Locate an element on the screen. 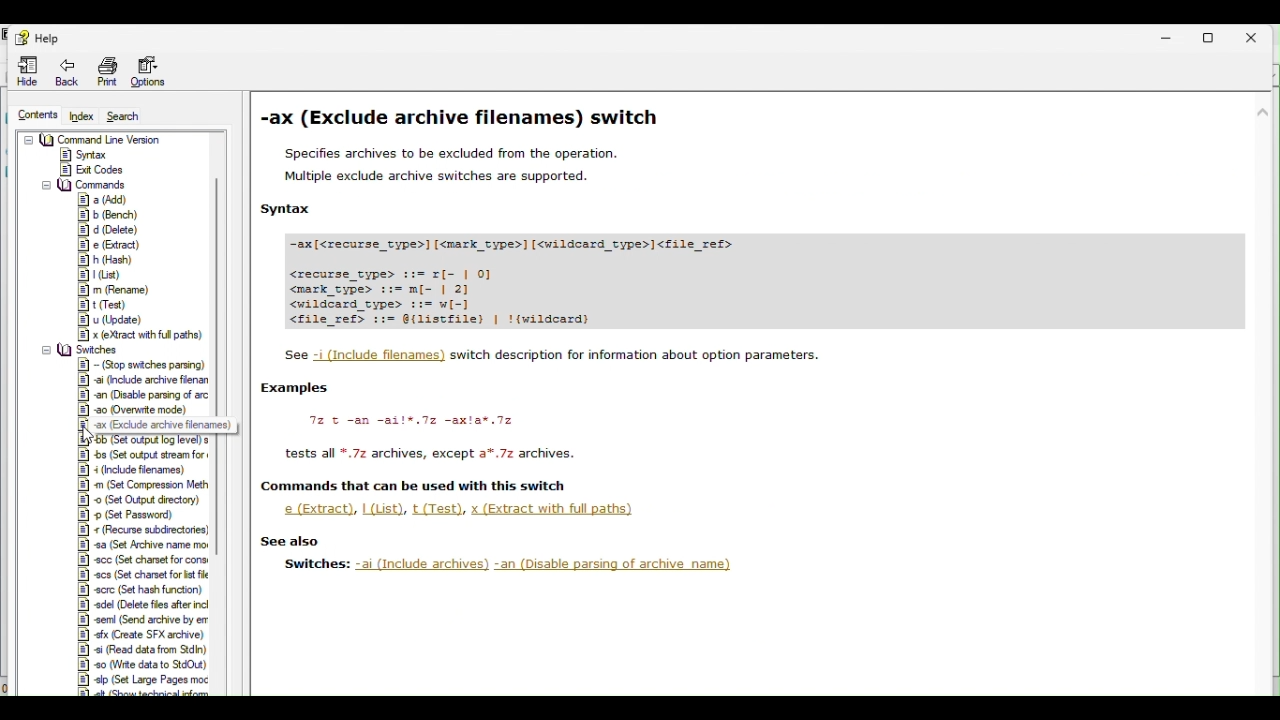 The width and height of the screenshot is (1280, 720). | e (Bdract) is located at coordinates (113, 246).